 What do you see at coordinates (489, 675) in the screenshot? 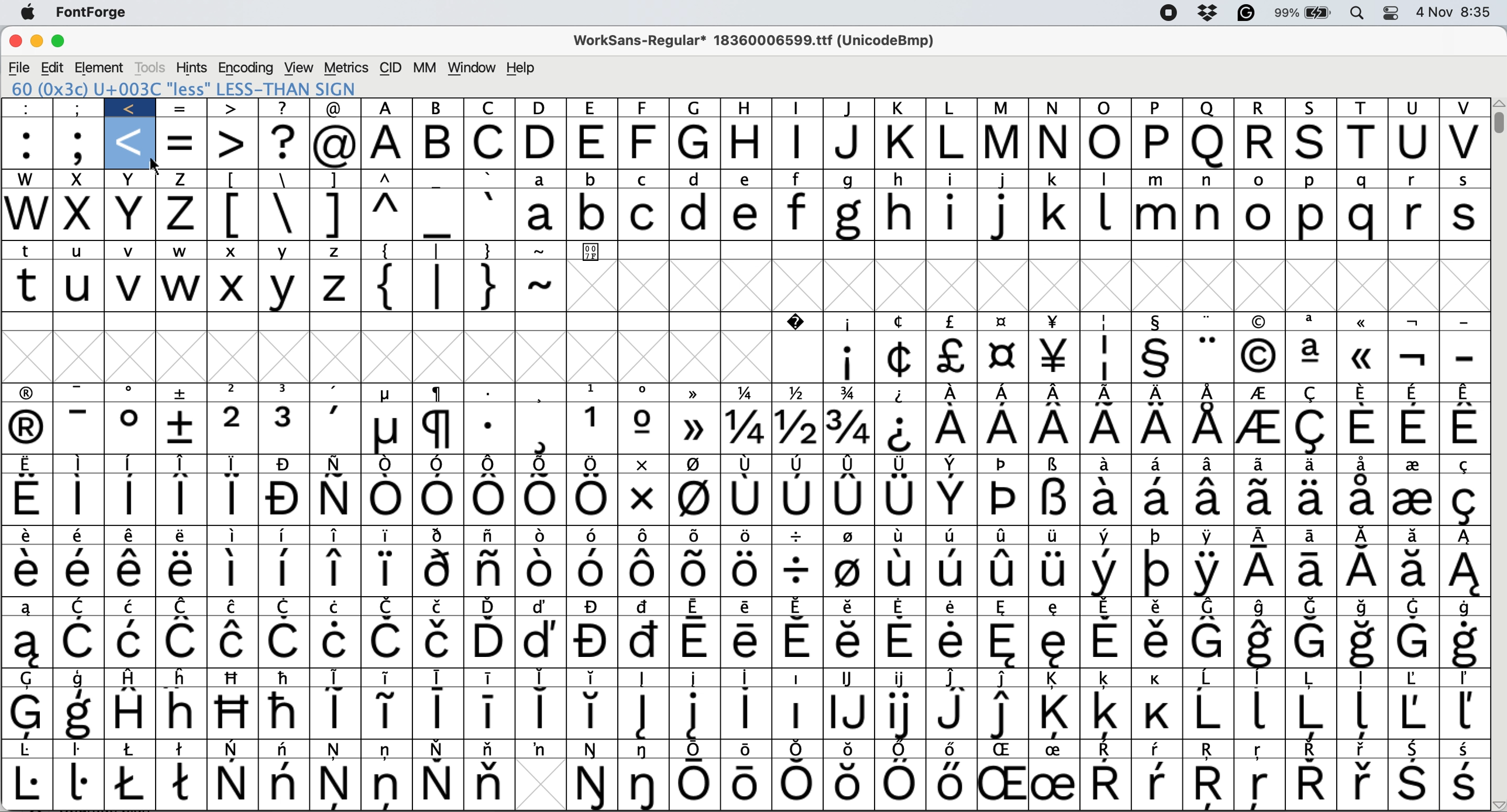
I see `Symbol` at bounding box center [489, 675].